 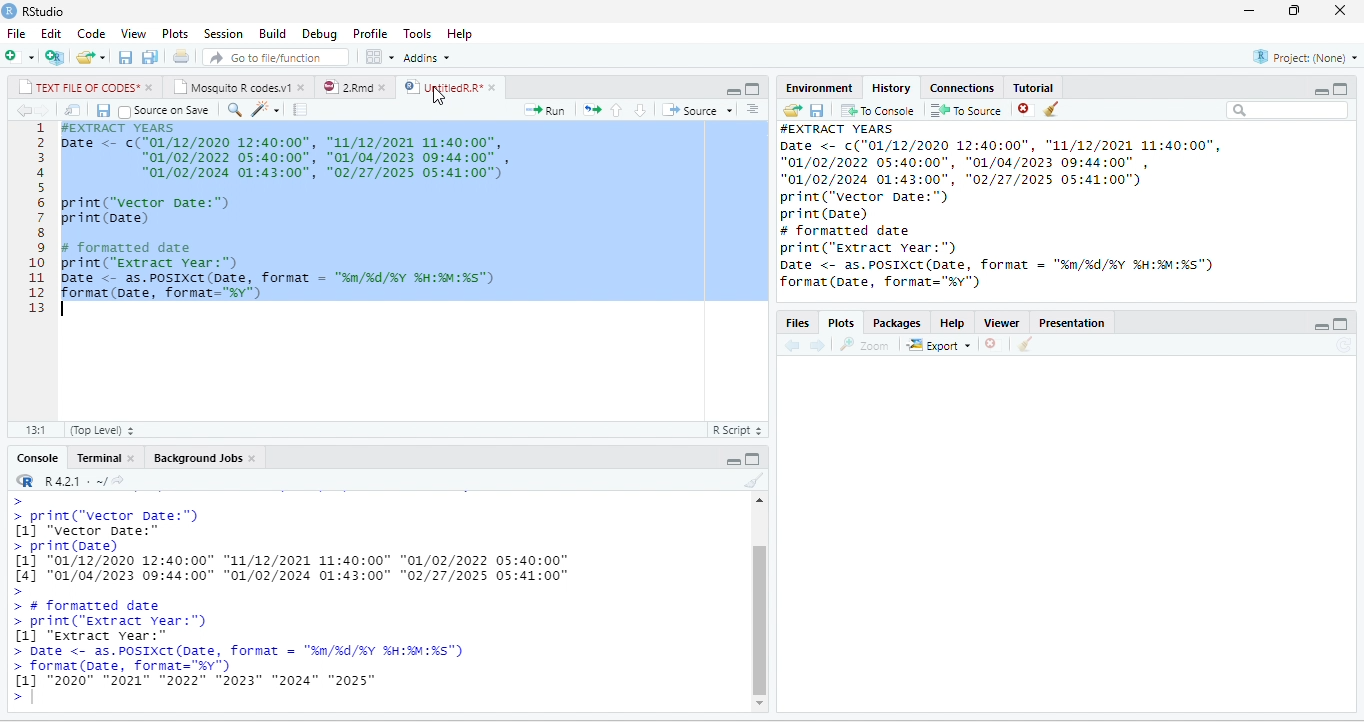 What do you see at coordinates (752, 109) in the screenshot?
I see `options` at bounding box center [752, 109].